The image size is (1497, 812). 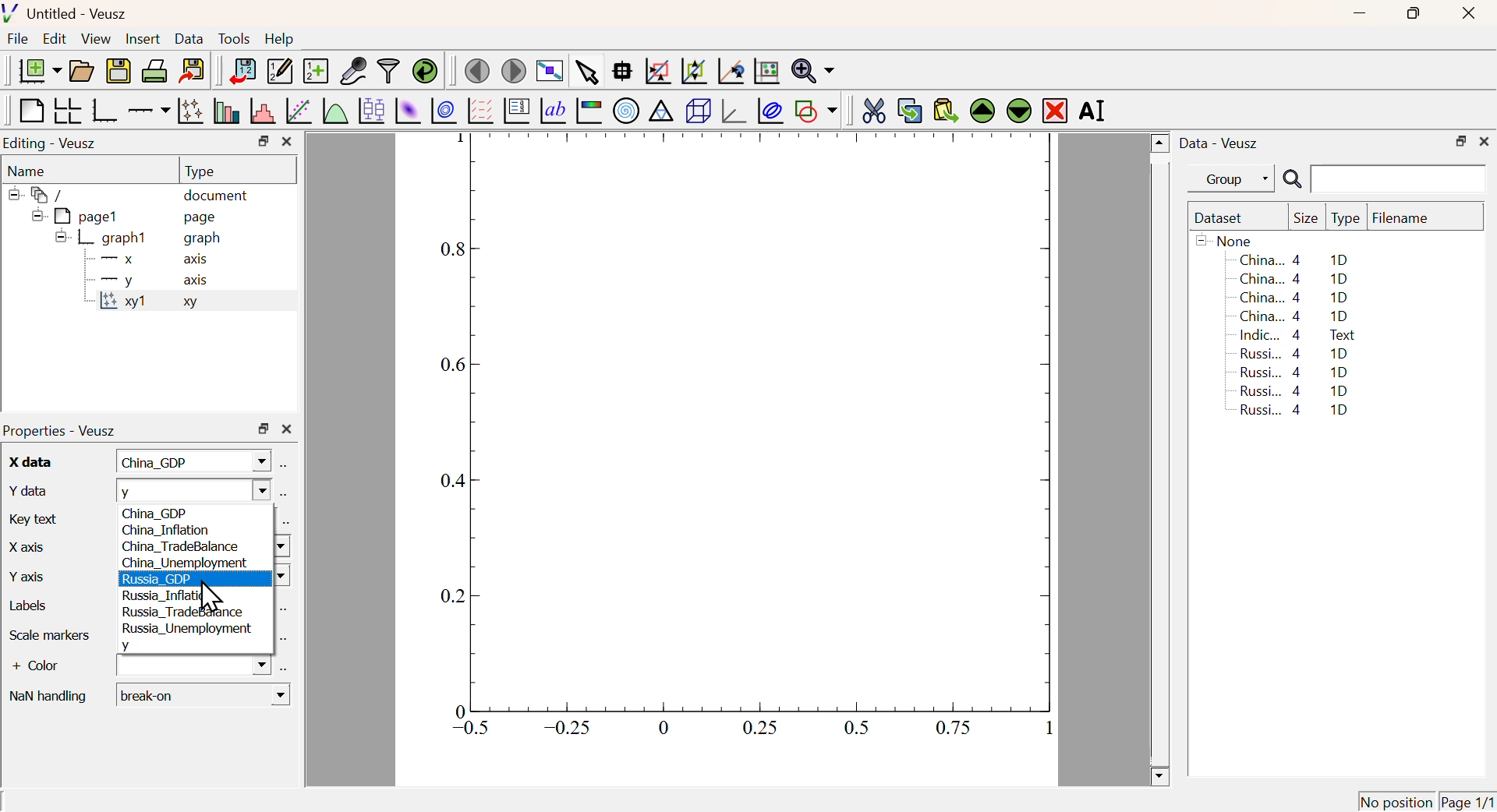 I want to click on Group, so click(x=1236, y=180).